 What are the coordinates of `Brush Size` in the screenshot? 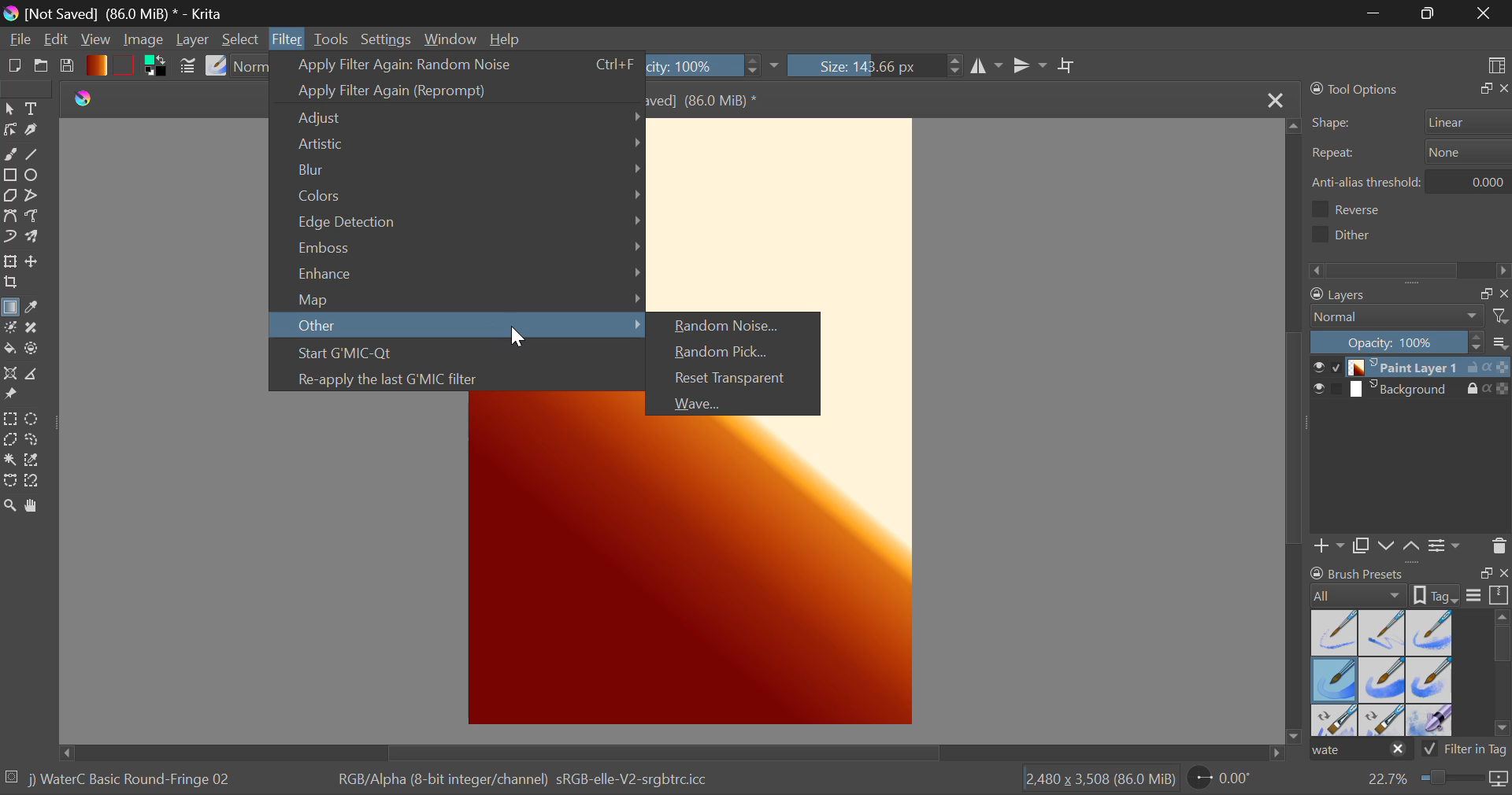 It's located at (876, 66).